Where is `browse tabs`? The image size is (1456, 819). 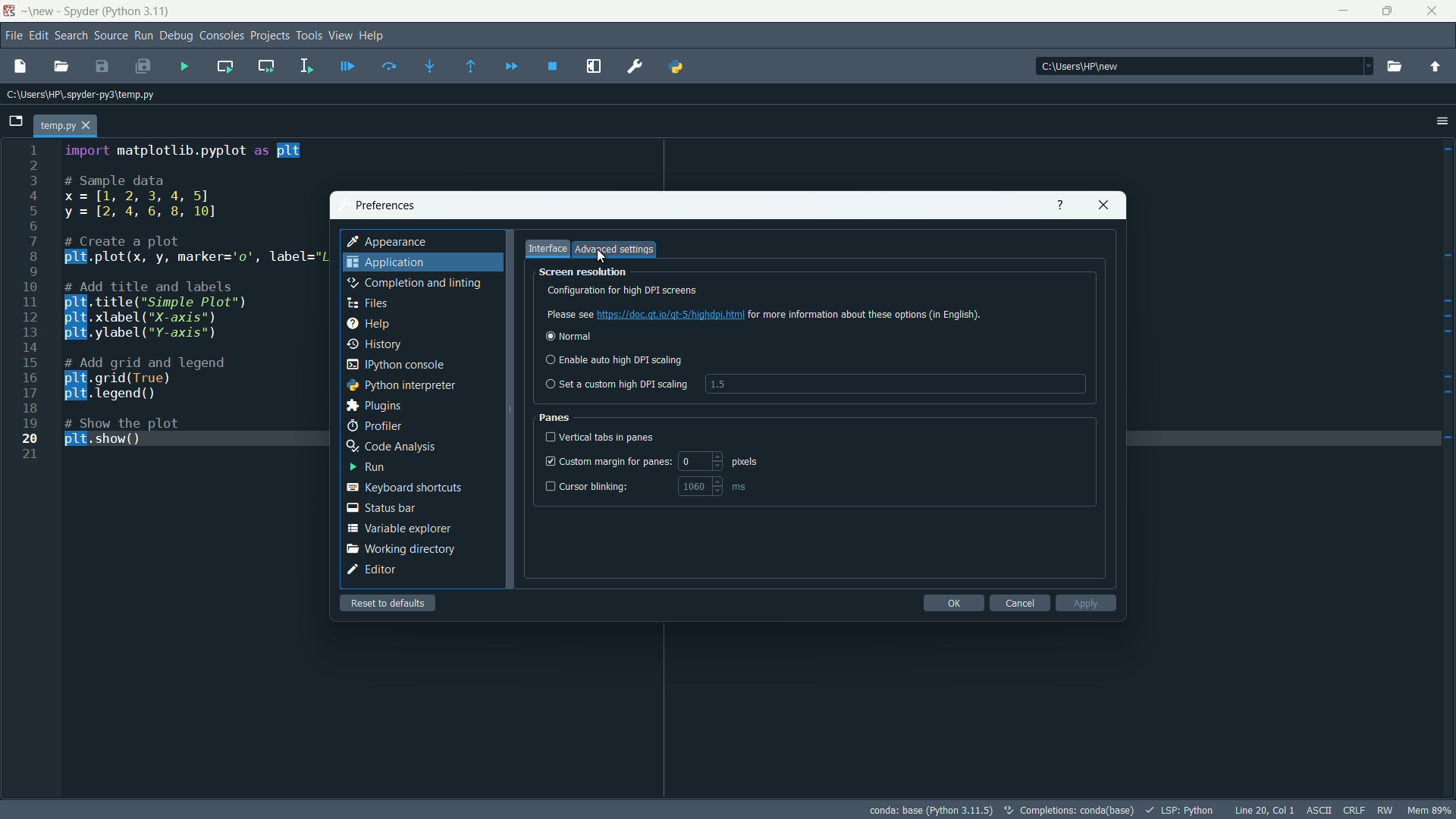 browse tabs is located at coordinates (15, 121).